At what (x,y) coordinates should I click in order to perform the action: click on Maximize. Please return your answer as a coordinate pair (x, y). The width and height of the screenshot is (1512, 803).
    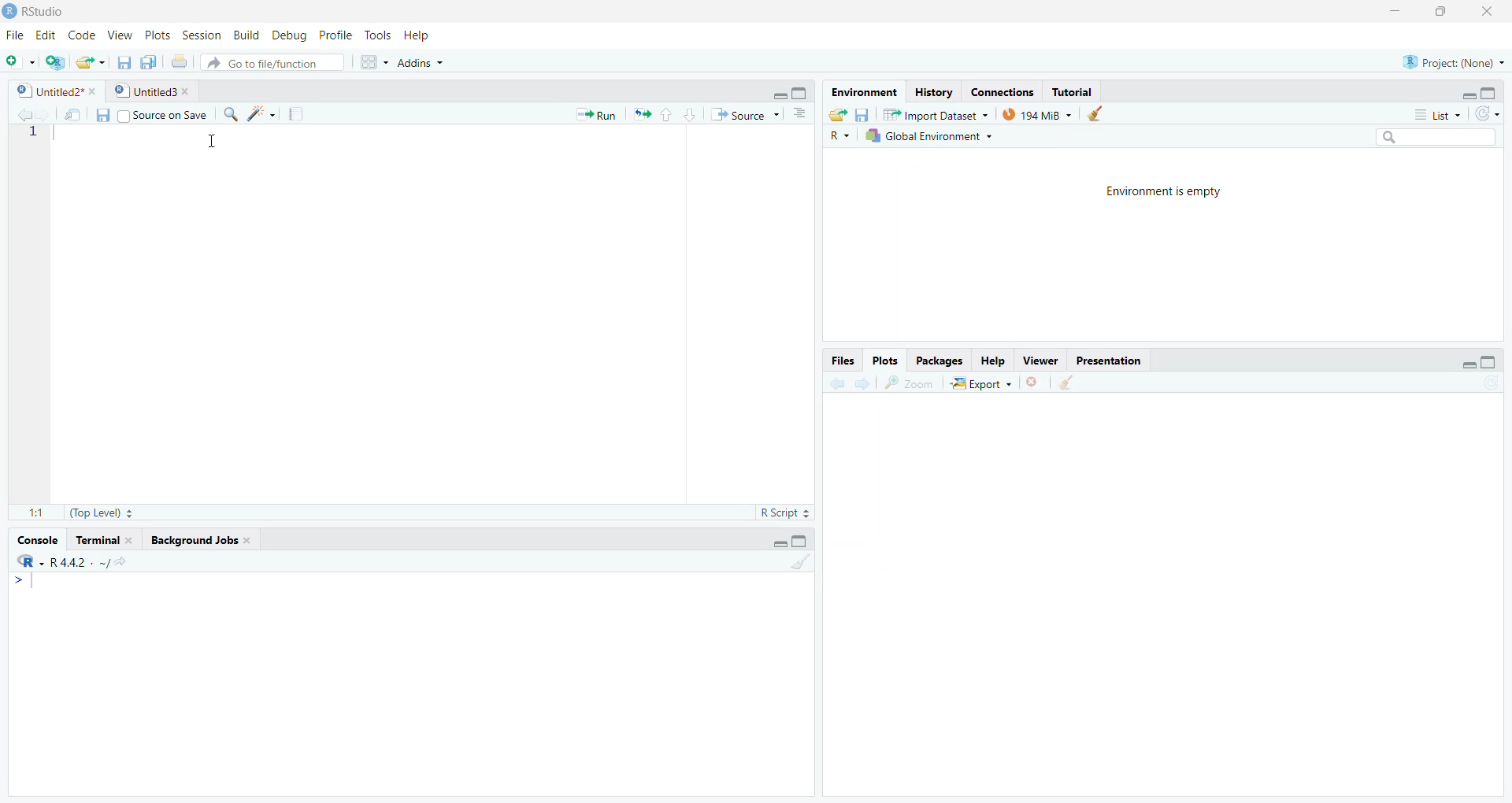
    Looking at the image, I should click on (1492, 92).